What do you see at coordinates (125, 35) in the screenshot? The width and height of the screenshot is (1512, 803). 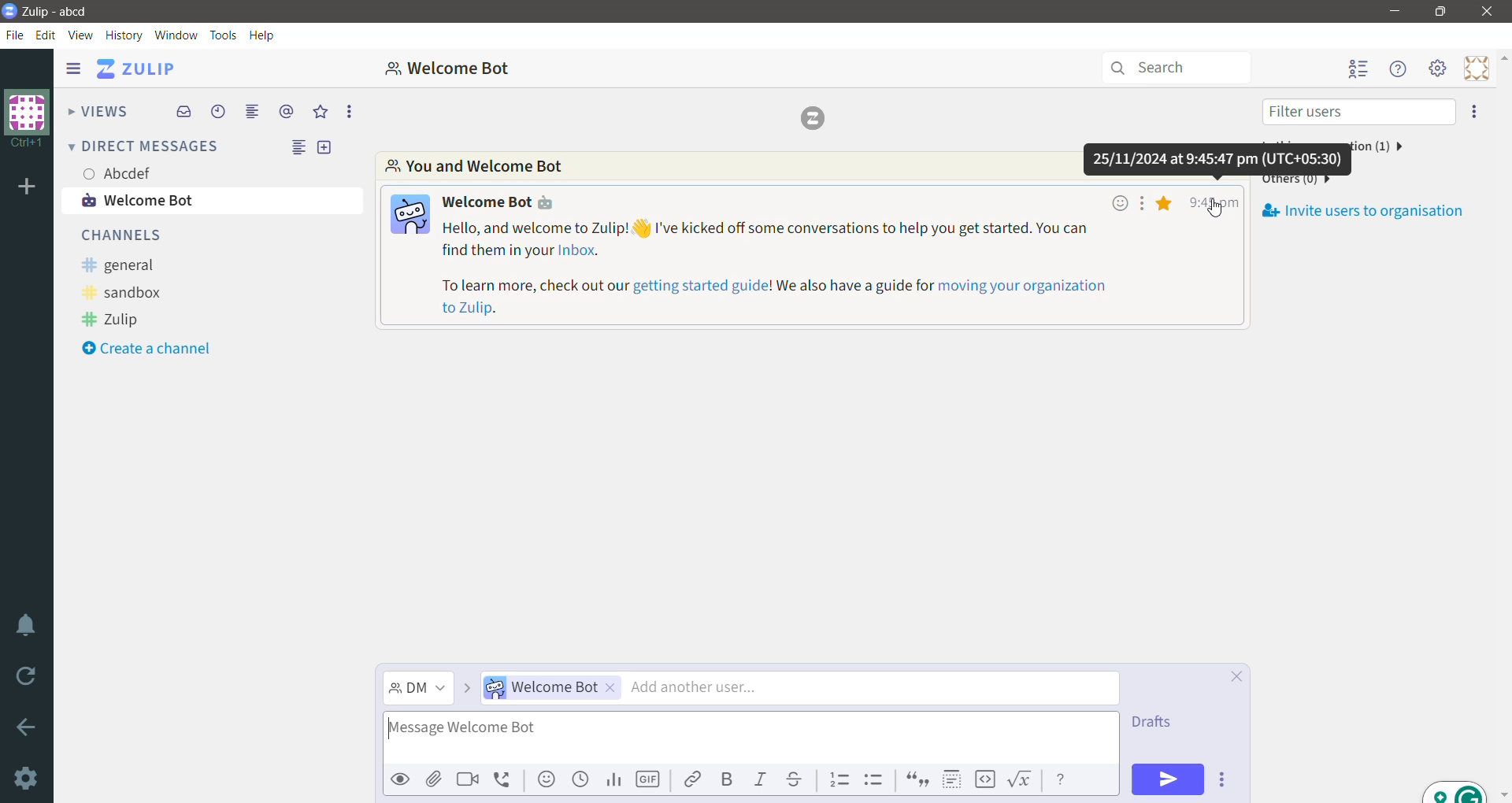 I see `History` at bounding box center [125, 35].